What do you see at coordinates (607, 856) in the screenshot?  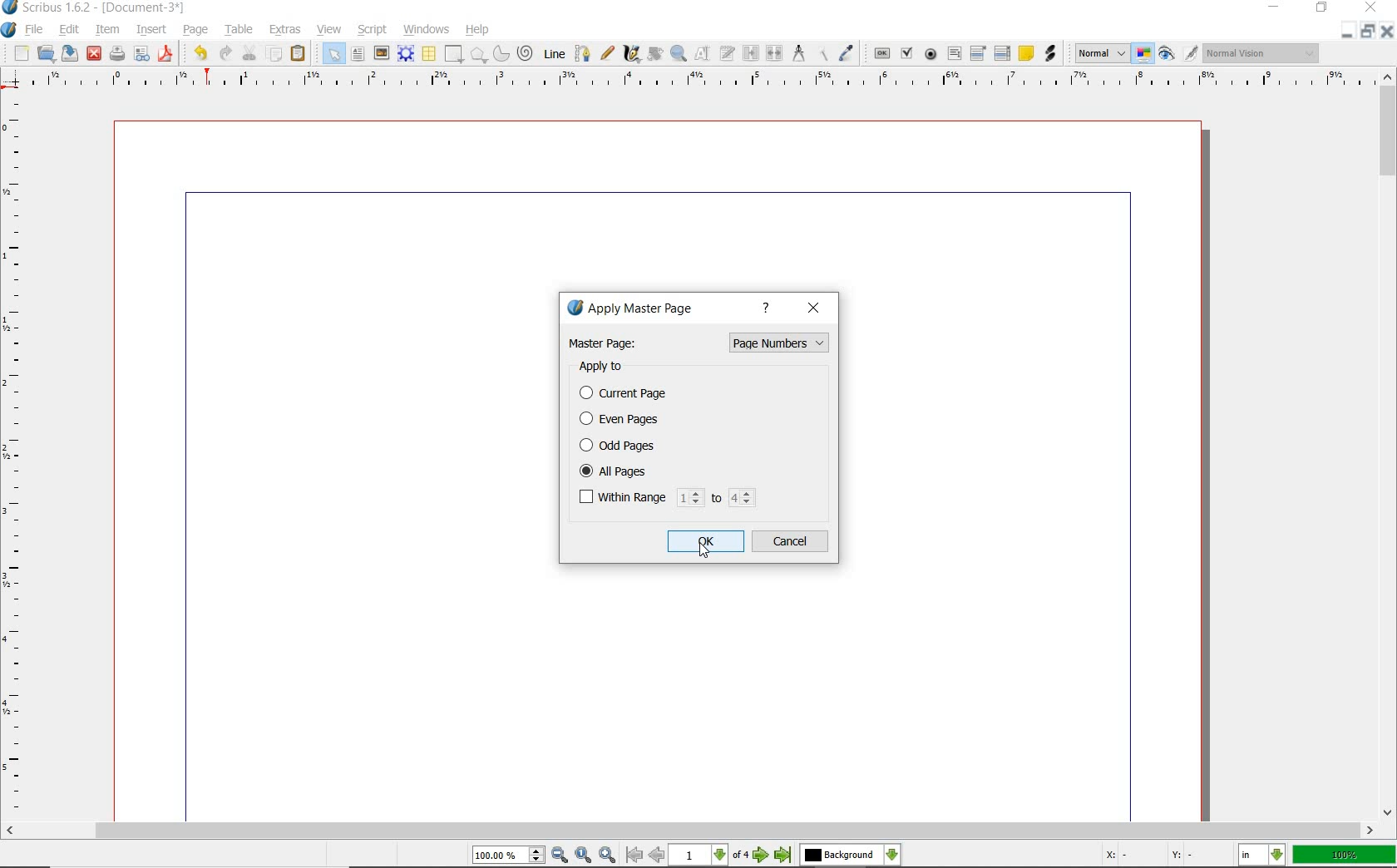 I see `Zoom In` at bounding box center [607, 856].